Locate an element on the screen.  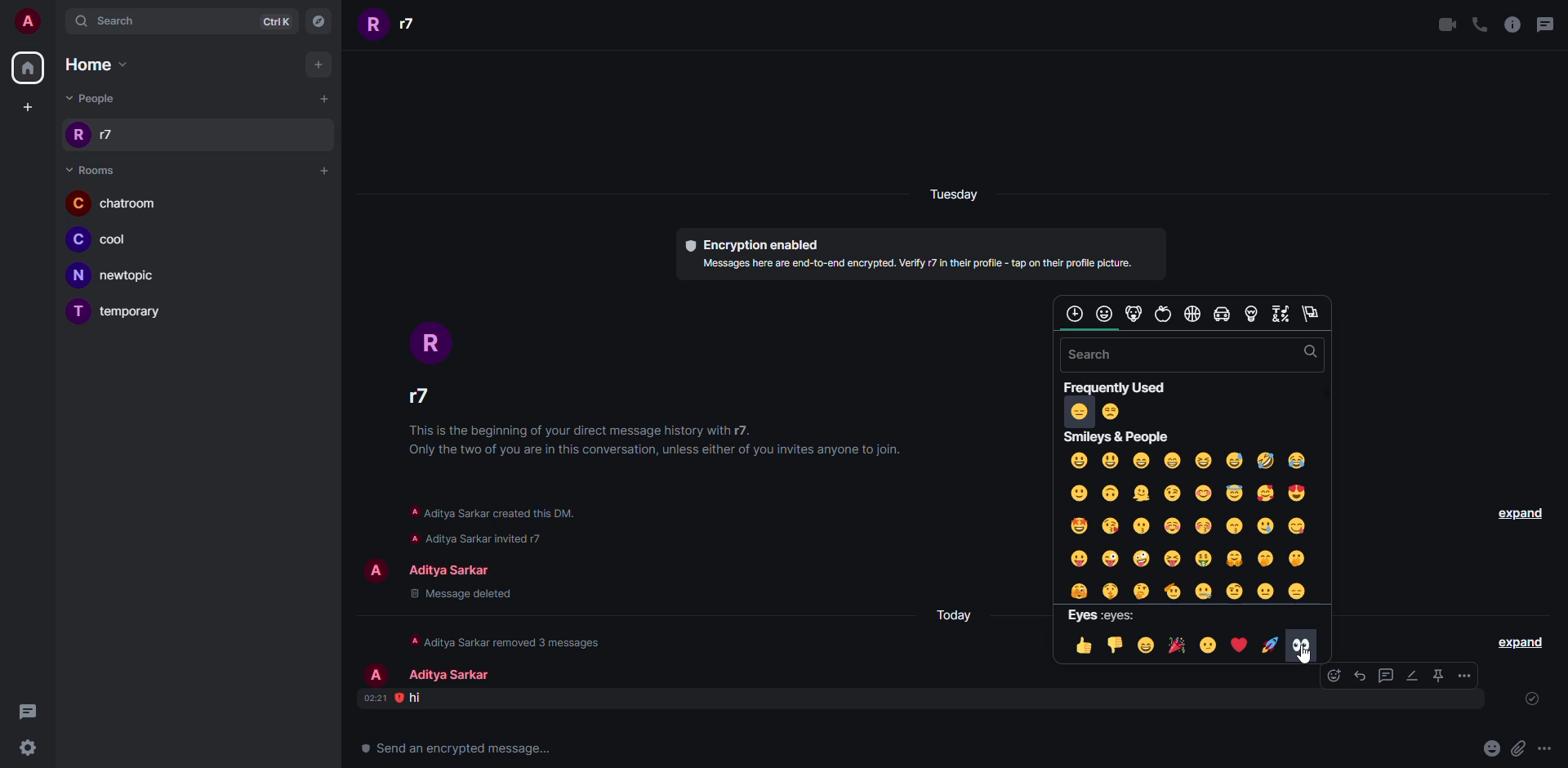
people is located at coordinates (91, 136).